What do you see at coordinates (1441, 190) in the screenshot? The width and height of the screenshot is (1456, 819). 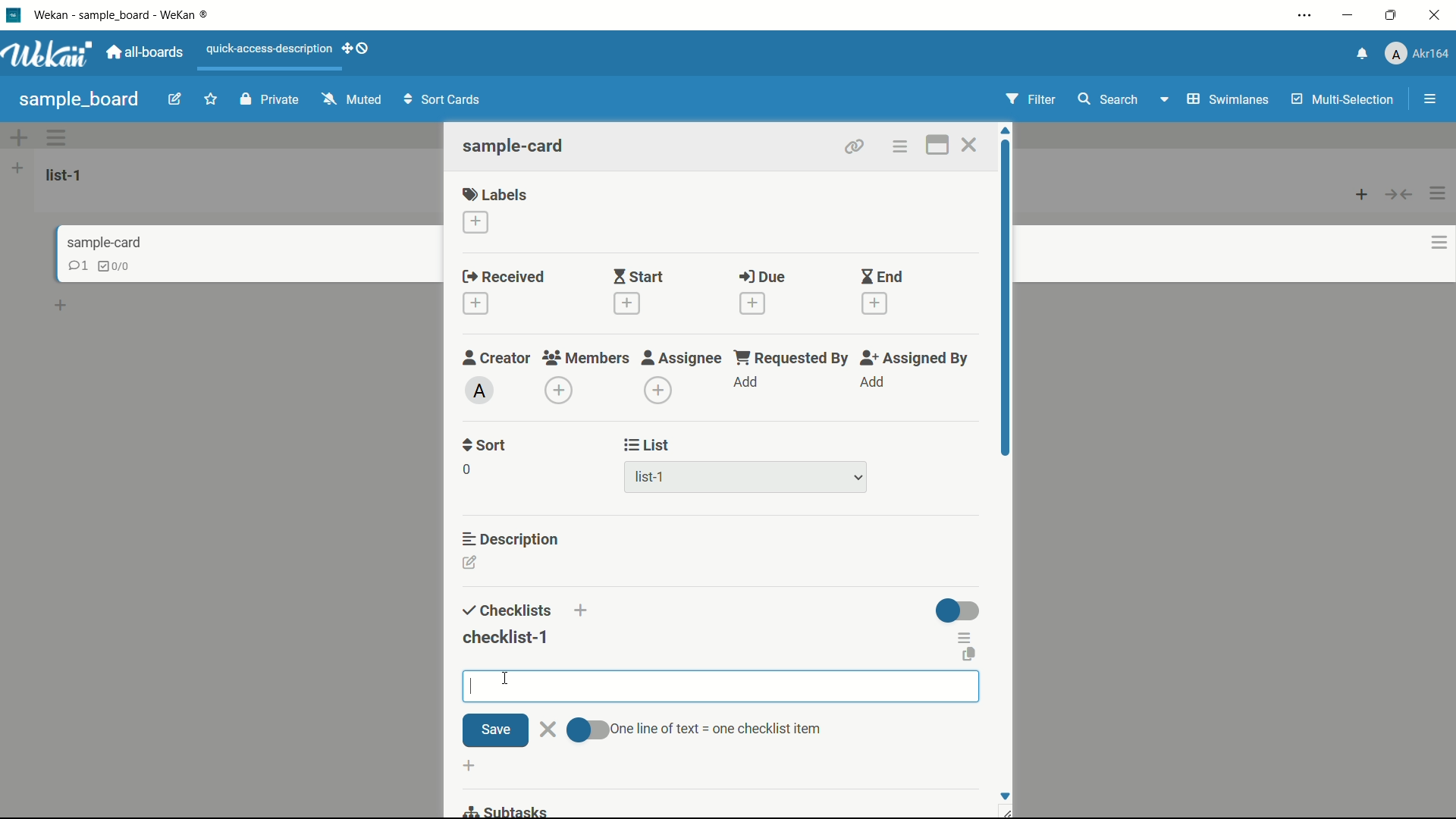 I see `options` at bounding box center [1441, 190].